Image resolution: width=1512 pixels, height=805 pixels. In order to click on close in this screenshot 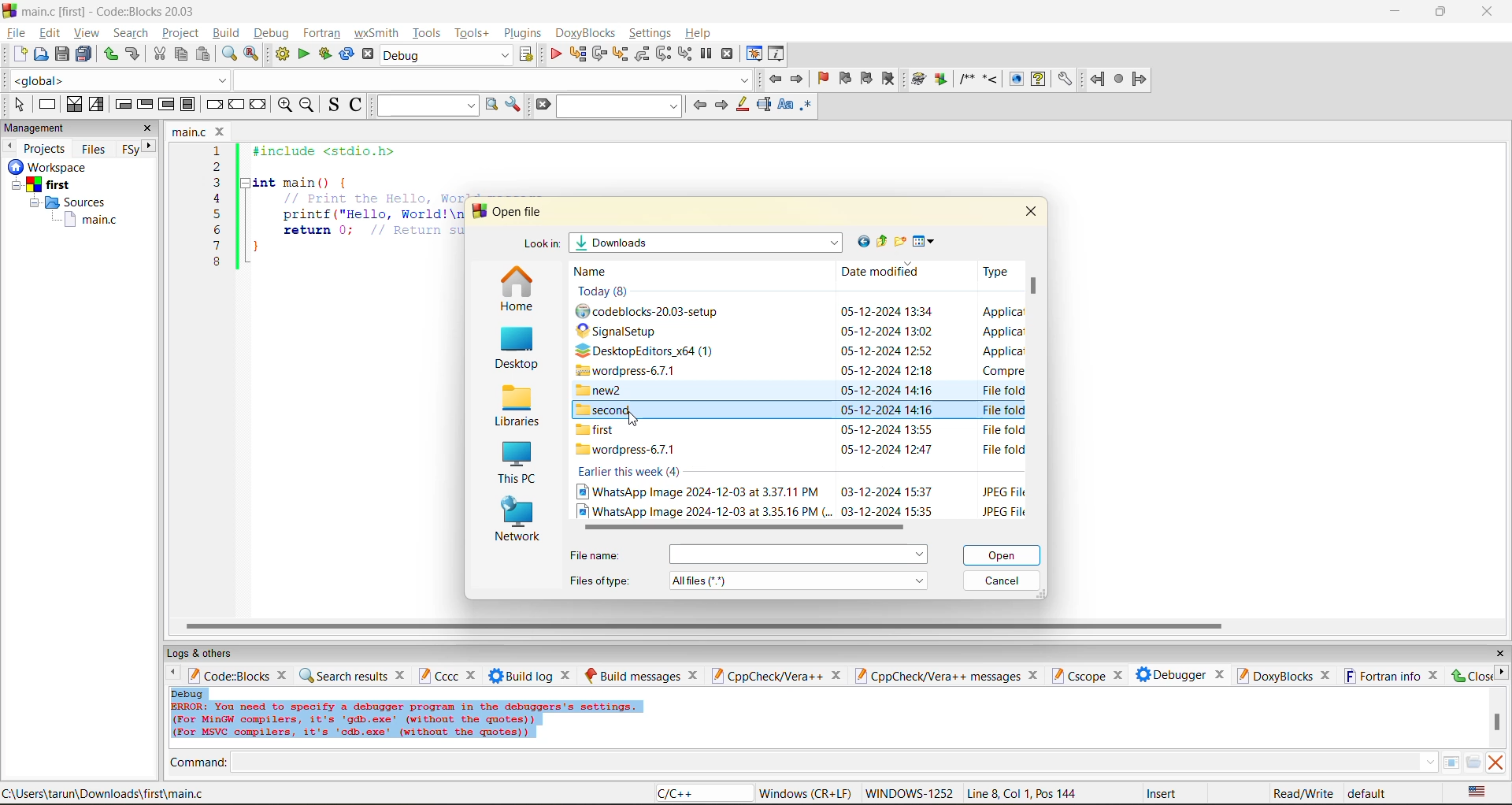, I will do `click(1117, 676)`.